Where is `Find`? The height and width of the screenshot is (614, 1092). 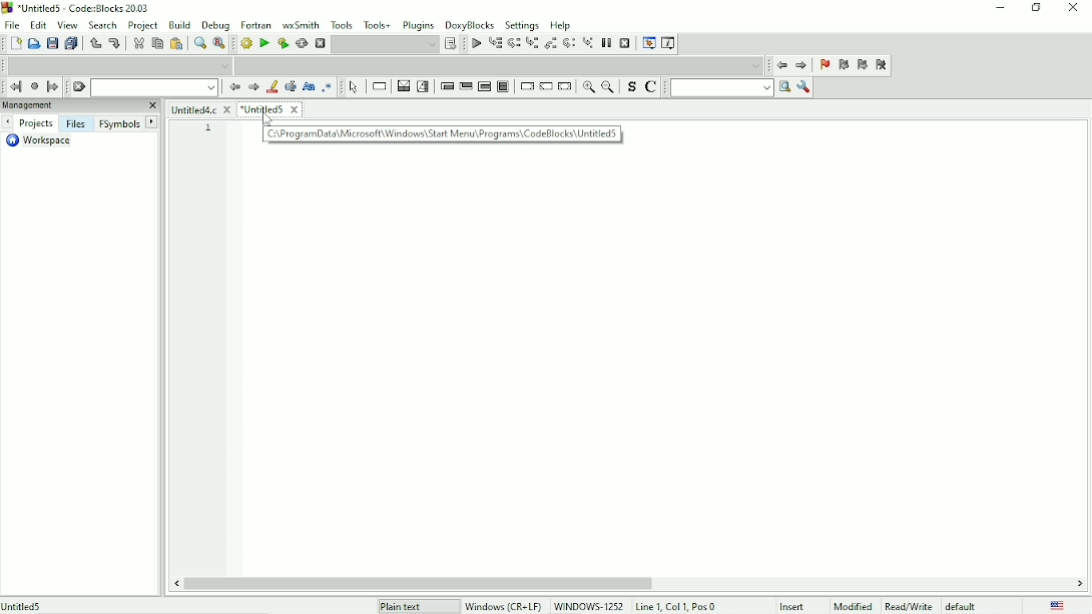
Find is located at coordinates (199, 44).